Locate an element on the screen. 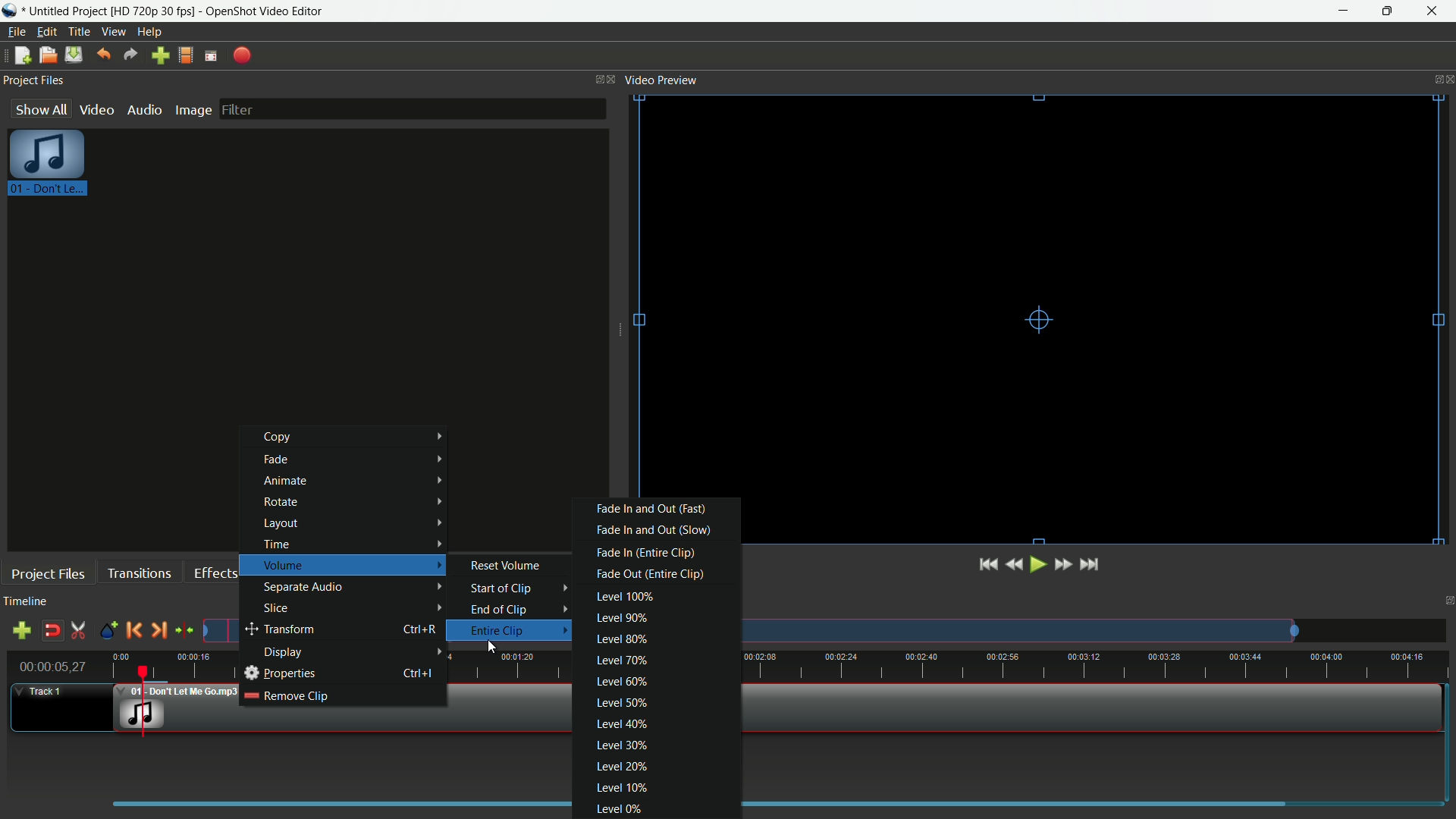  separate audio is located at coordinates (354, 585).